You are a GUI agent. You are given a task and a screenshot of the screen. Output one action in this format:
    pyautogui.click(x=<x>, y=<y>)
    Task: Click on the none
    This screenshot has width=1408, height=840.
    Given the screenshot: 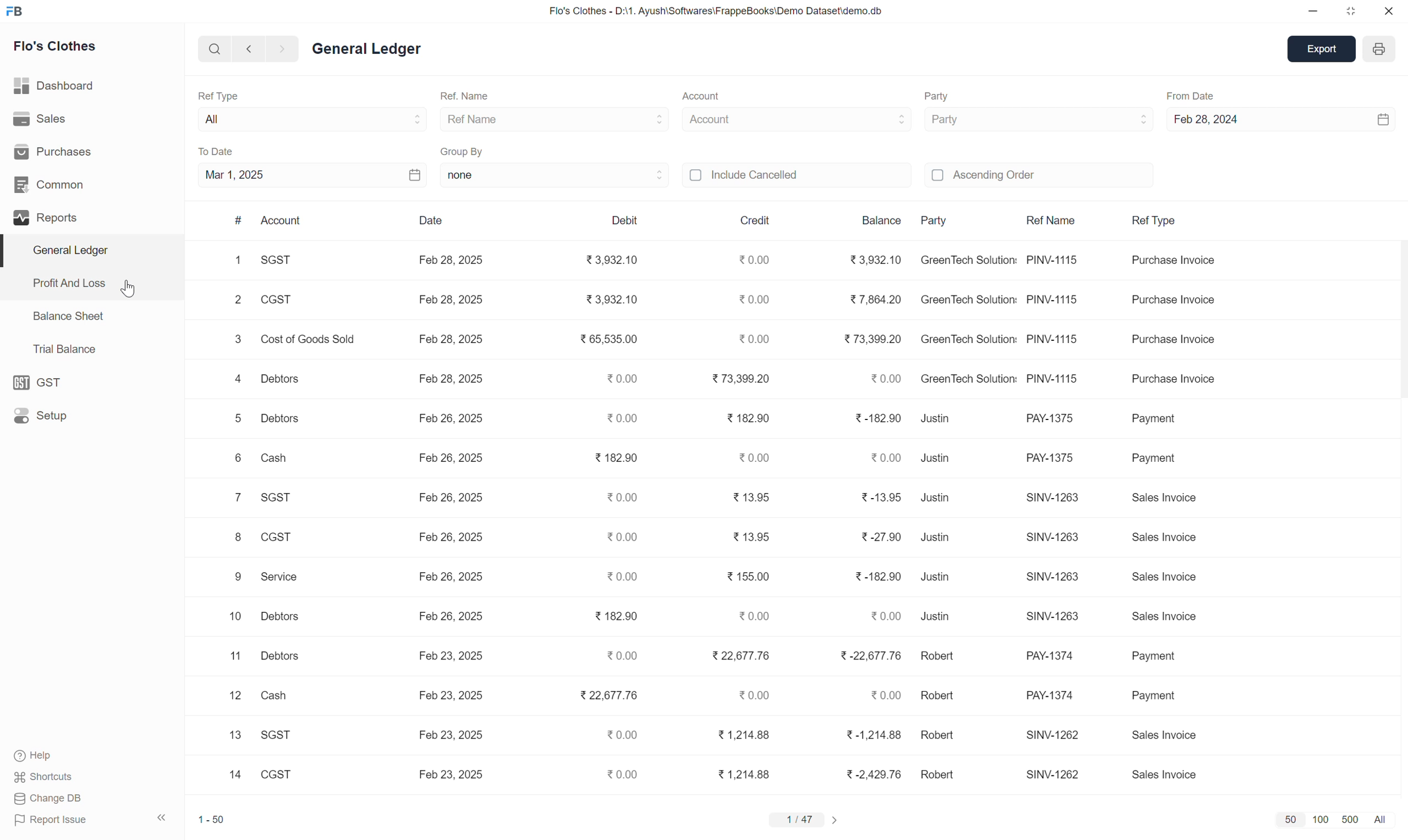 What is the action you would take?
    pyautogui.click(x=476, y=173)
    